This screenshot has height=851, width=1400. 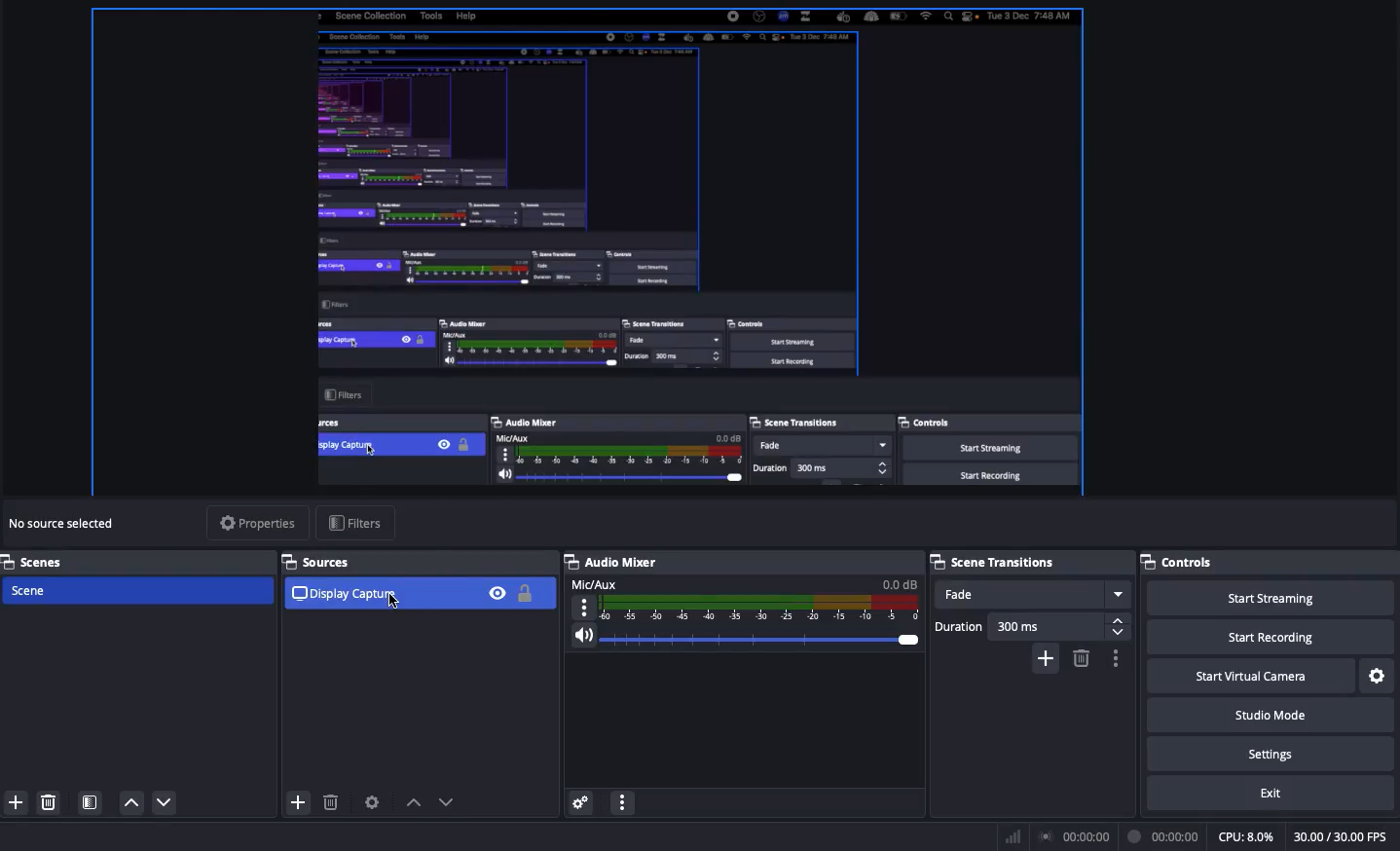 What do you see at coordinates (325, 561) in the screenshot?
I see `Sources` at bounding box center [325, 561].